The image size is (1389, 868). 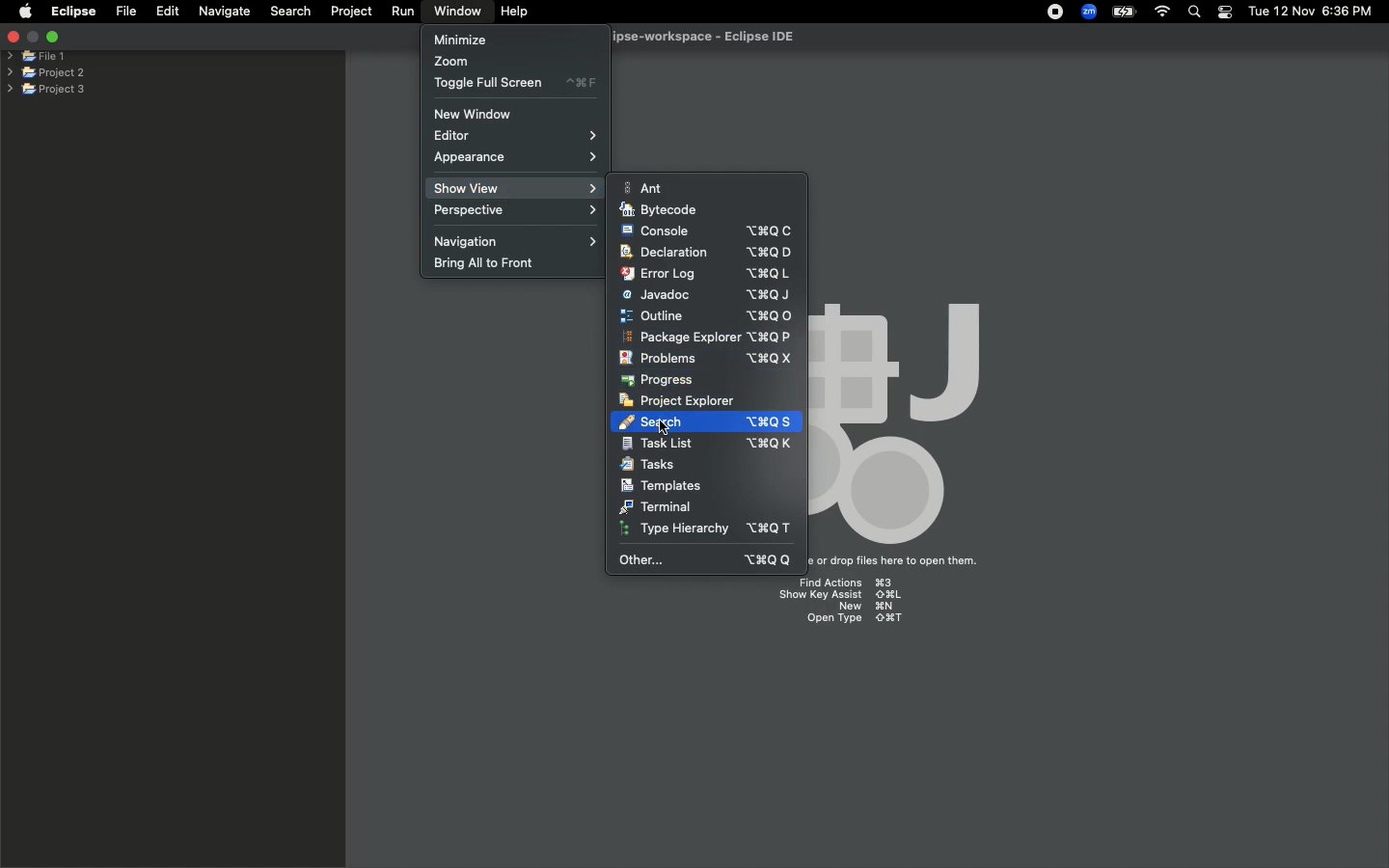 What do you see at coordinates (677, 400) in the screenshot?
I see `Project explorer` at bounding box center [677, 400].